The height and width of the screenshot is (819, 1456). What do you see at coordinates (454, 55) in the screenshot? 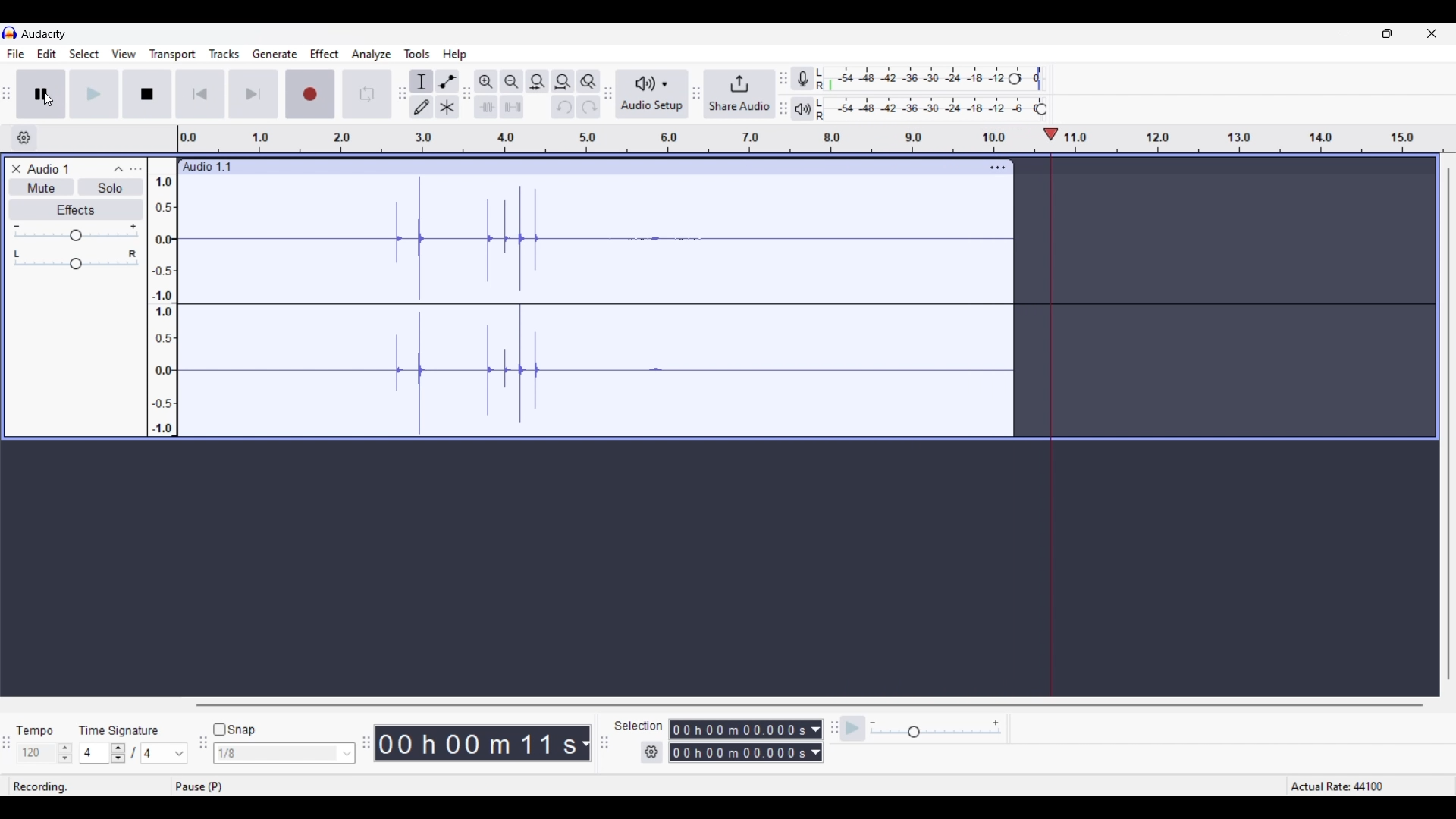
I see `Help menu` at bounding box center [454, 55].